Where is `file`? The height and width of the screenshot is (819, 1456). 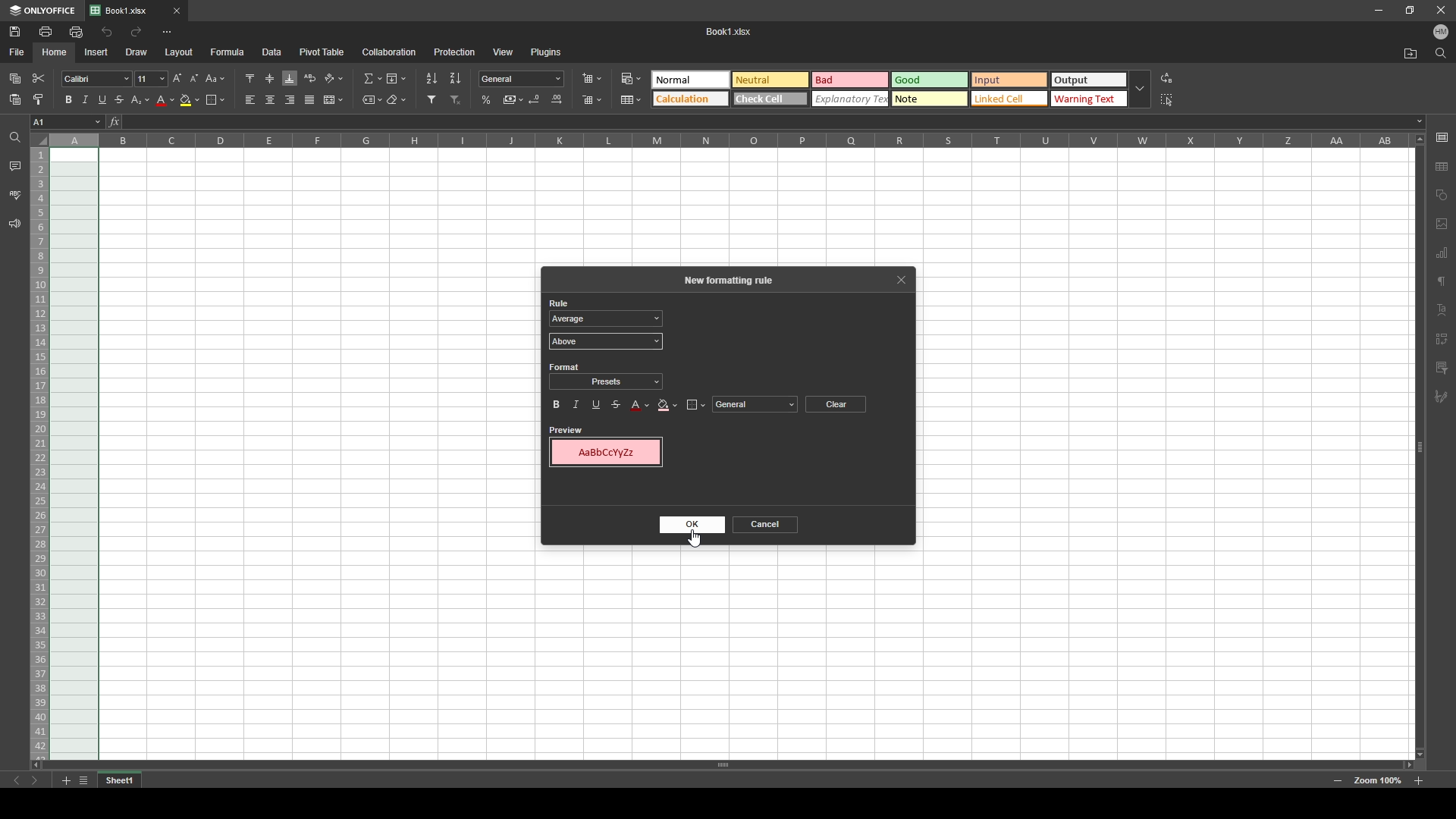
file is located at coordinates (17, 51).